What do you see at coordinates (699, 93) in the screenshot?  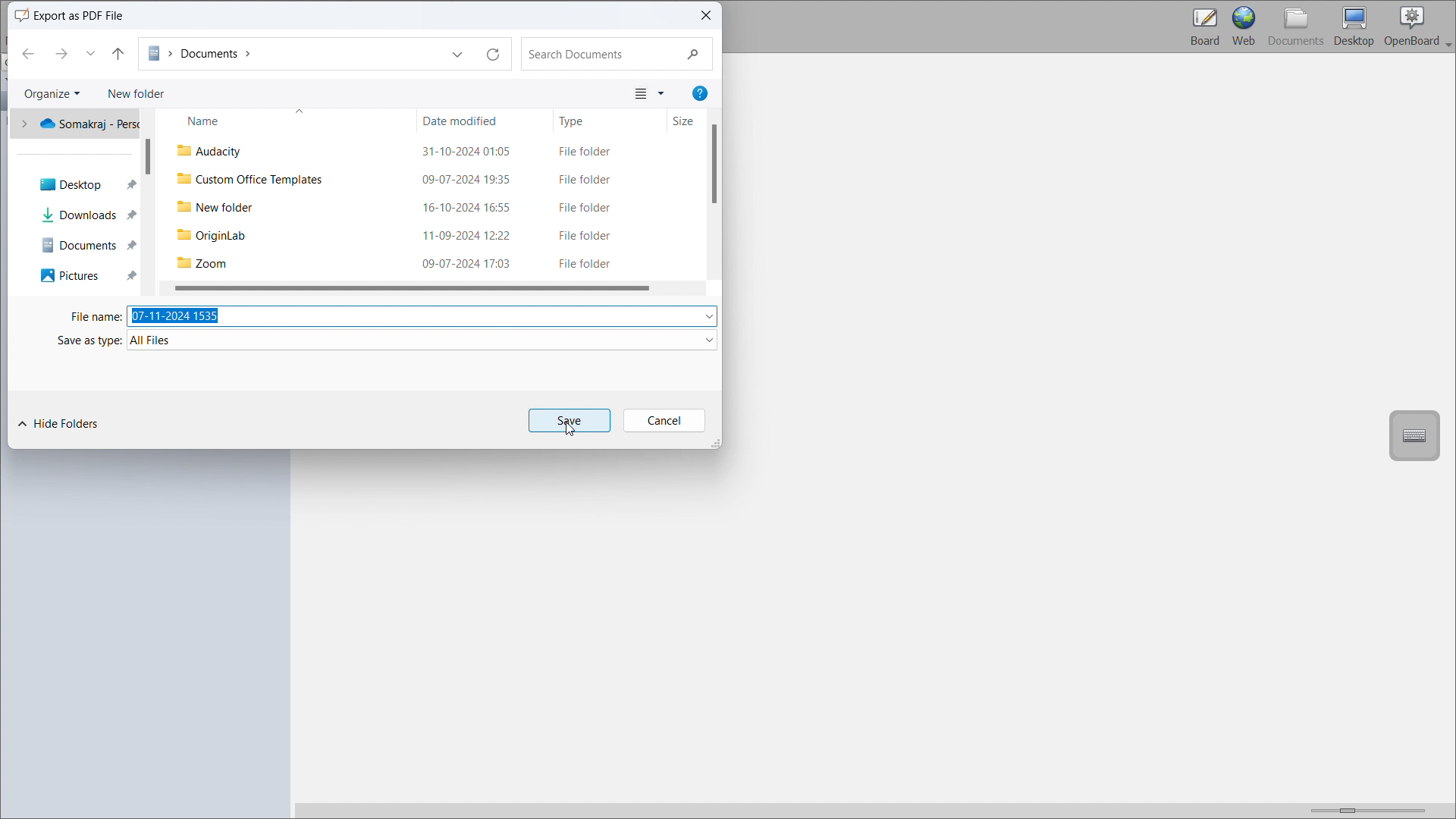 I see `help` at bounding box center [699, 93].